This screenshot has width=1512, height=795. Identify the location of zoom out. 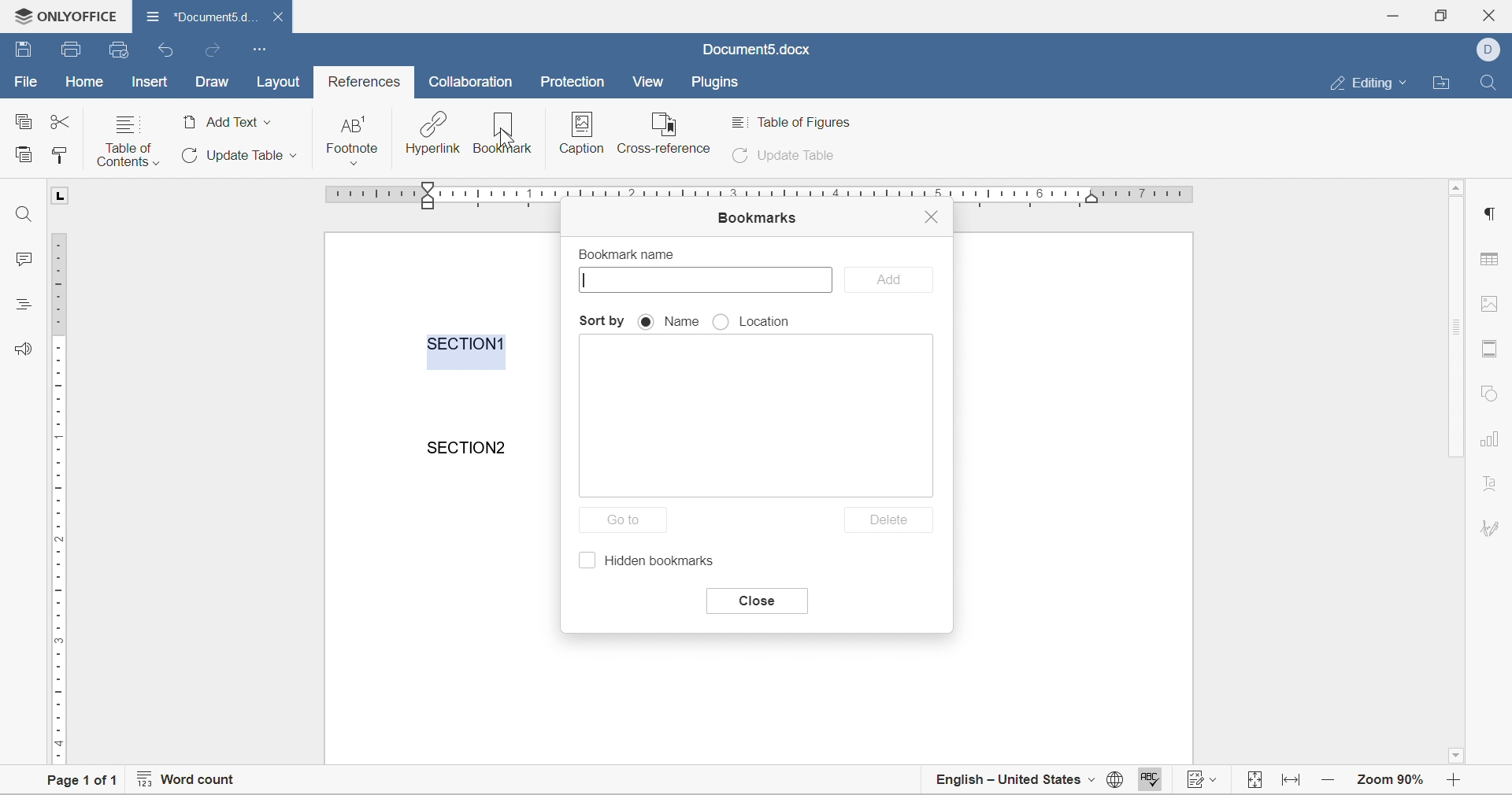
(1458, 782).